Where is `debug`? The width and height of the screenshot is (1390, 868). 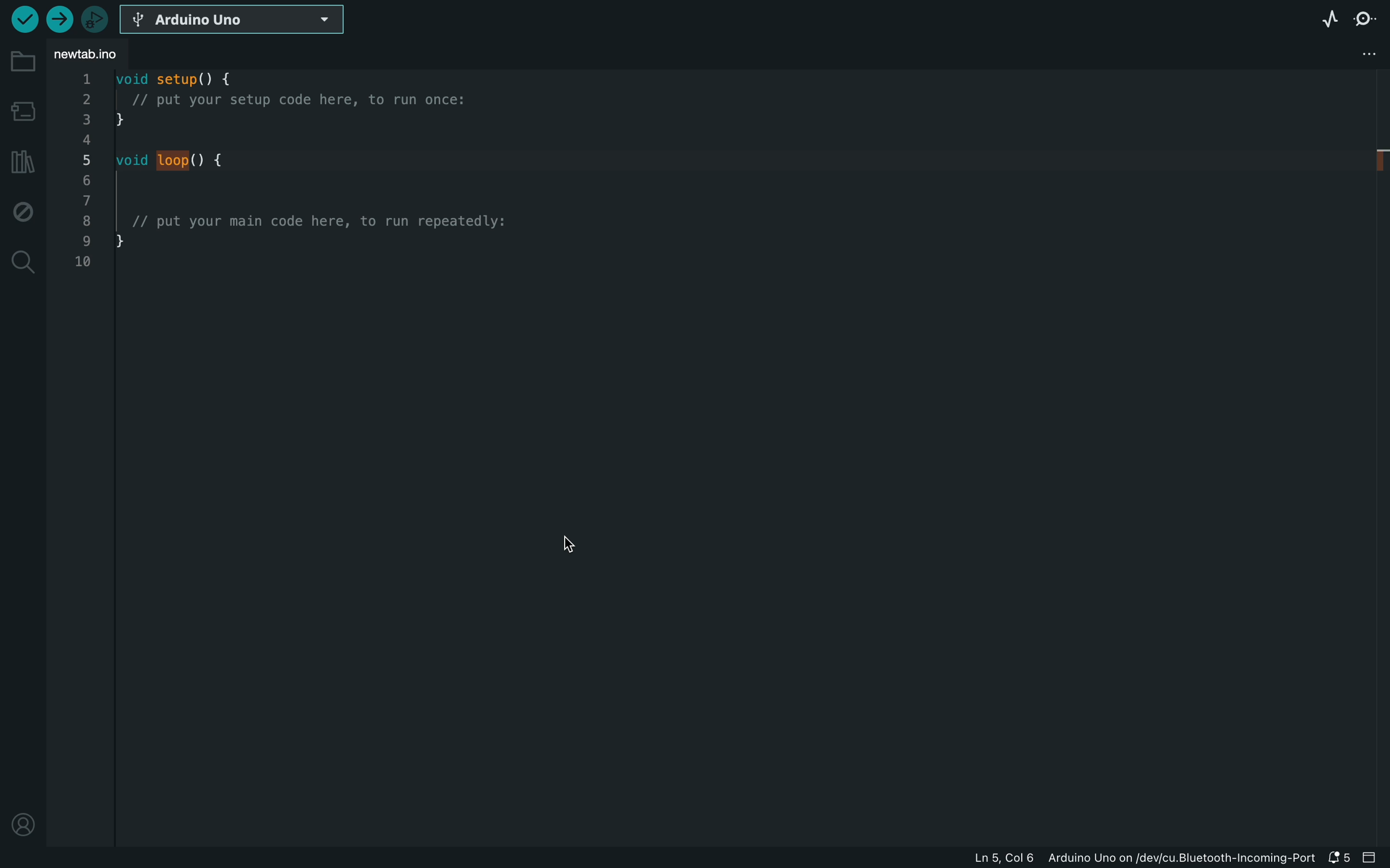 debug is located at coordinates (23, 211).